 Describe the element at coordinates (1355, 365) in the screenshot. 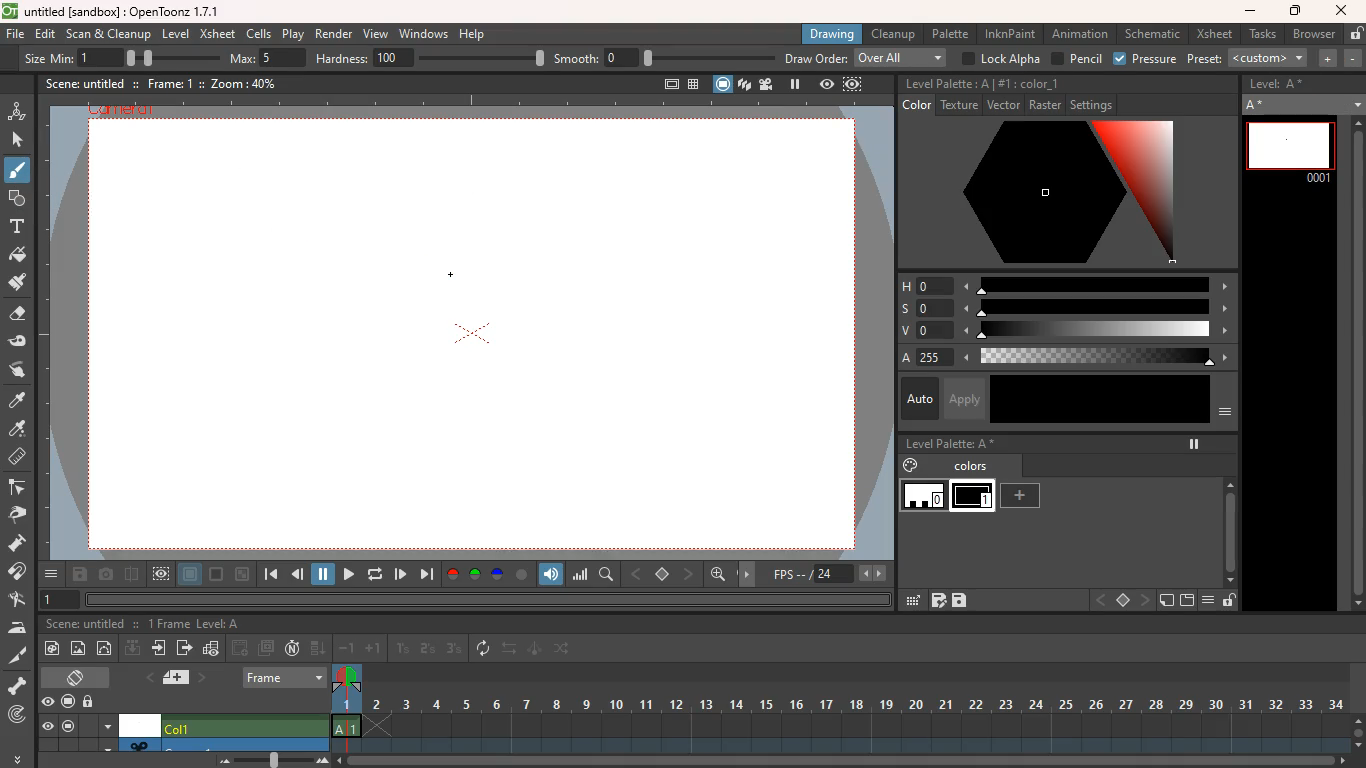

I see `scroll bar` at that location.